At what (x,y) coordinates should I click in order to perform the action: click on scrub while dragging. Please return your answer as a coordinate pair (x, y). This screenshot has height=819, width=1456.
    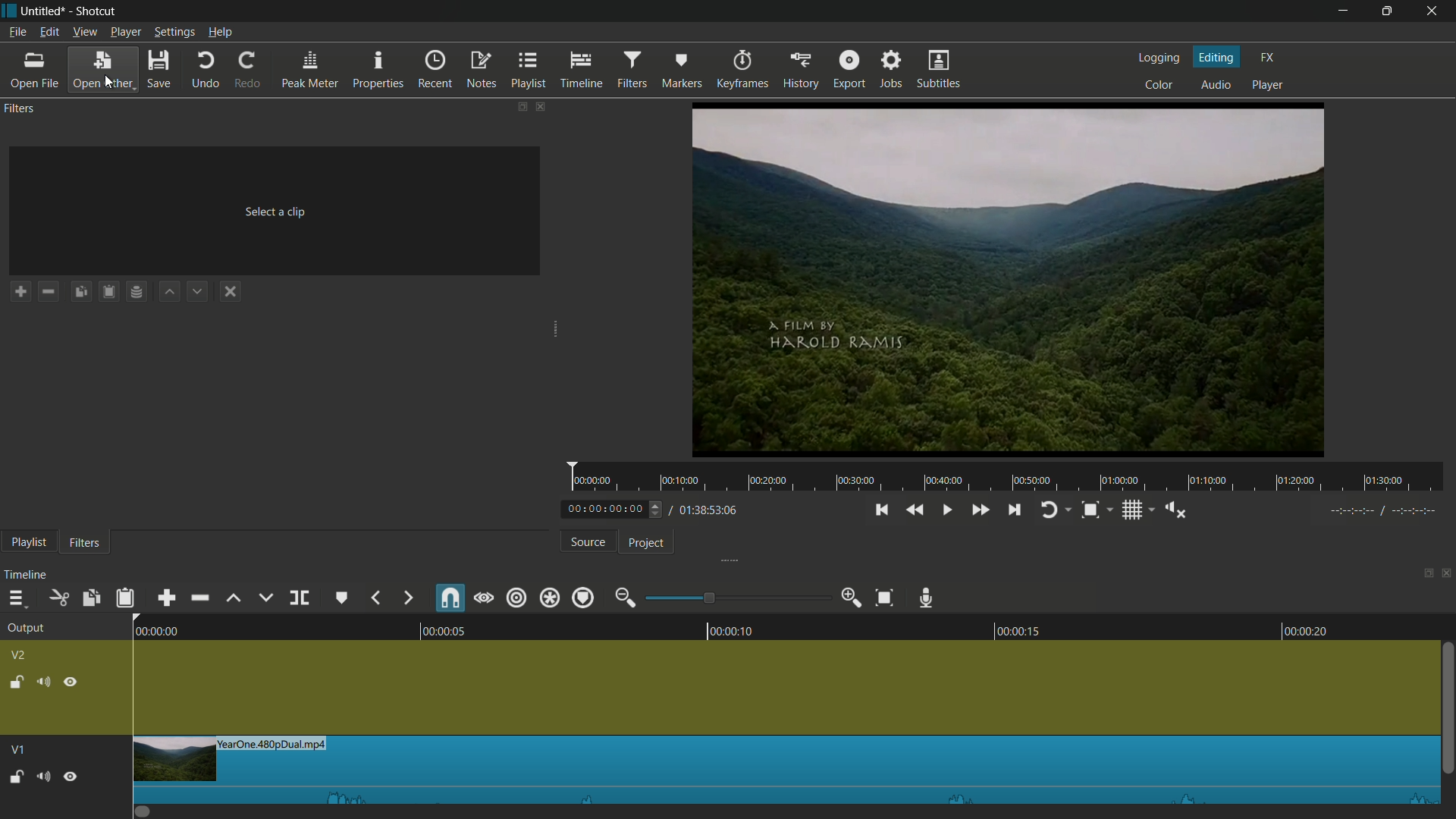
    Looking at the image, I should click on (485, 598).